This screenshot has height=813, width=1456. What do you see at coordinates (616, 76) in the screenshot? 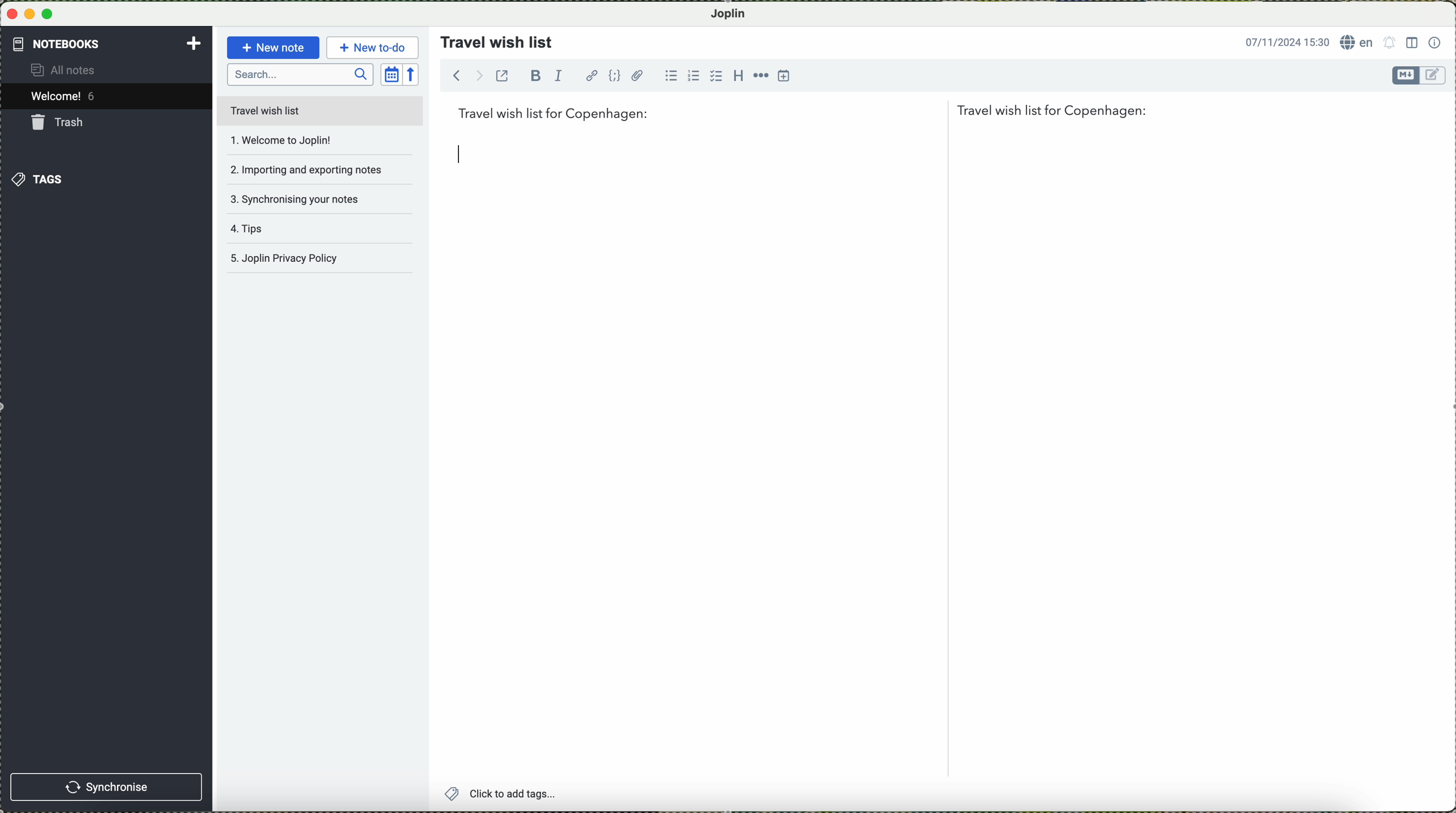
I see `code` at bounding box center [616, 76].